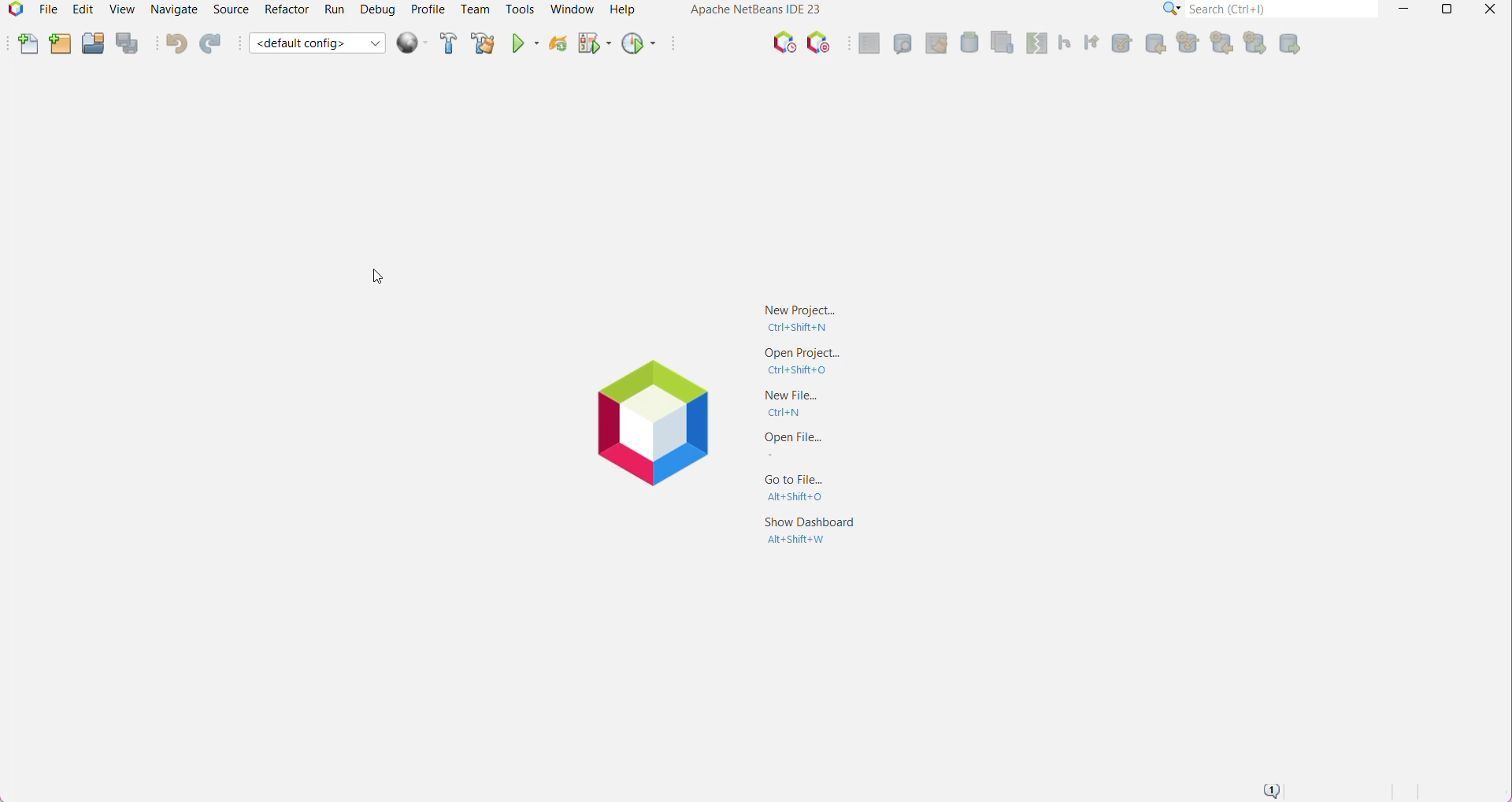 Image resolution: width=1512 pixels, height=802 pixels. What do you see at coordinates (1283, 9) in the screenshot?
I see `Search` at bounding box center [1283, 9].